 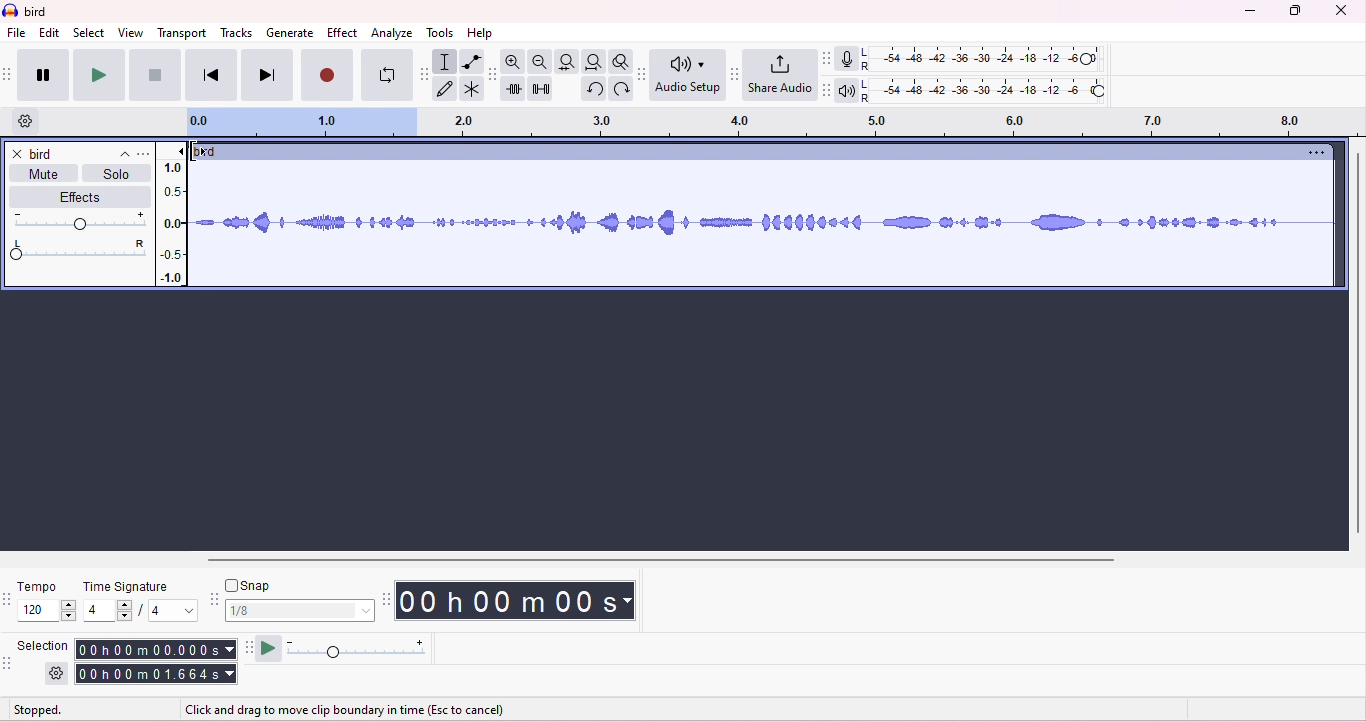 What do you see at coordinates (213, 597) in the screenshot?
I see `snap tool bar` at bounding box center [213, 597].